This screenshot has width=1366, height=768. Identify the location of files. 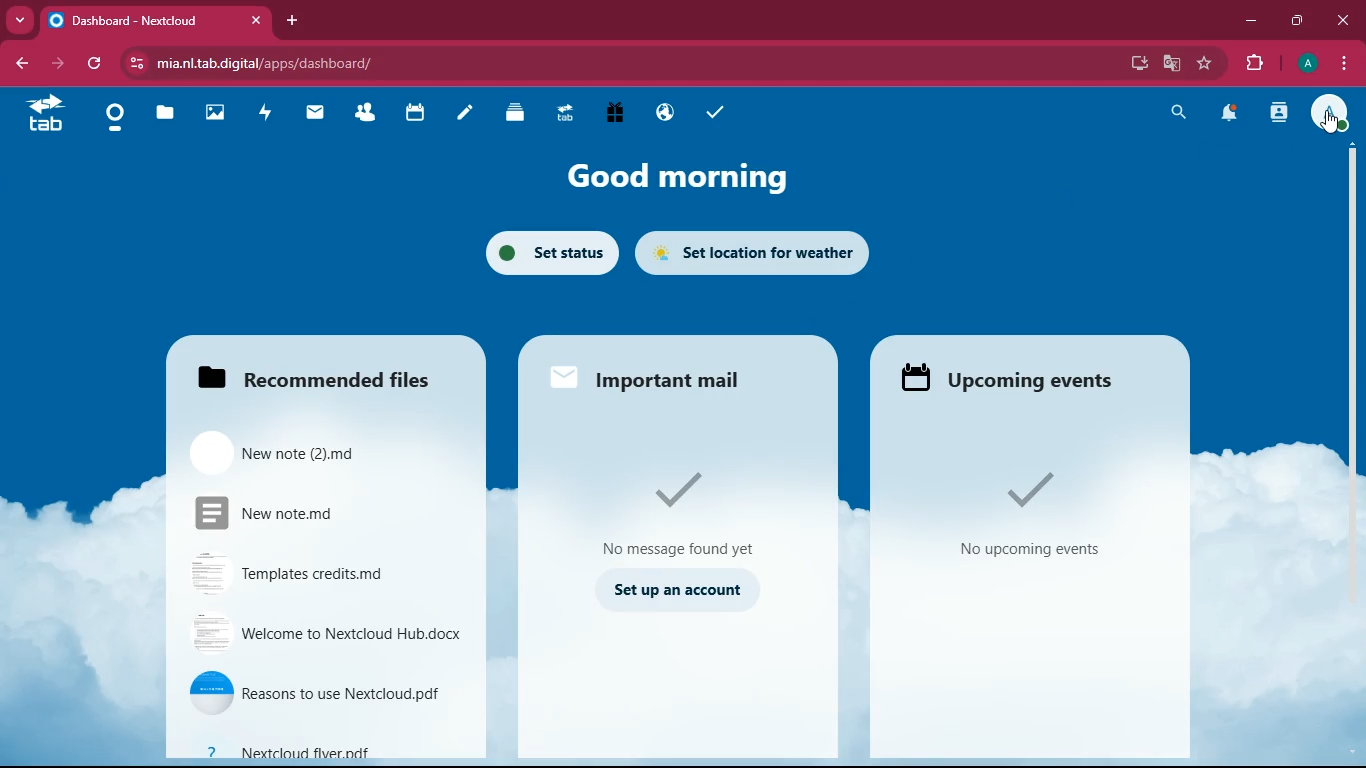
(166, 113).